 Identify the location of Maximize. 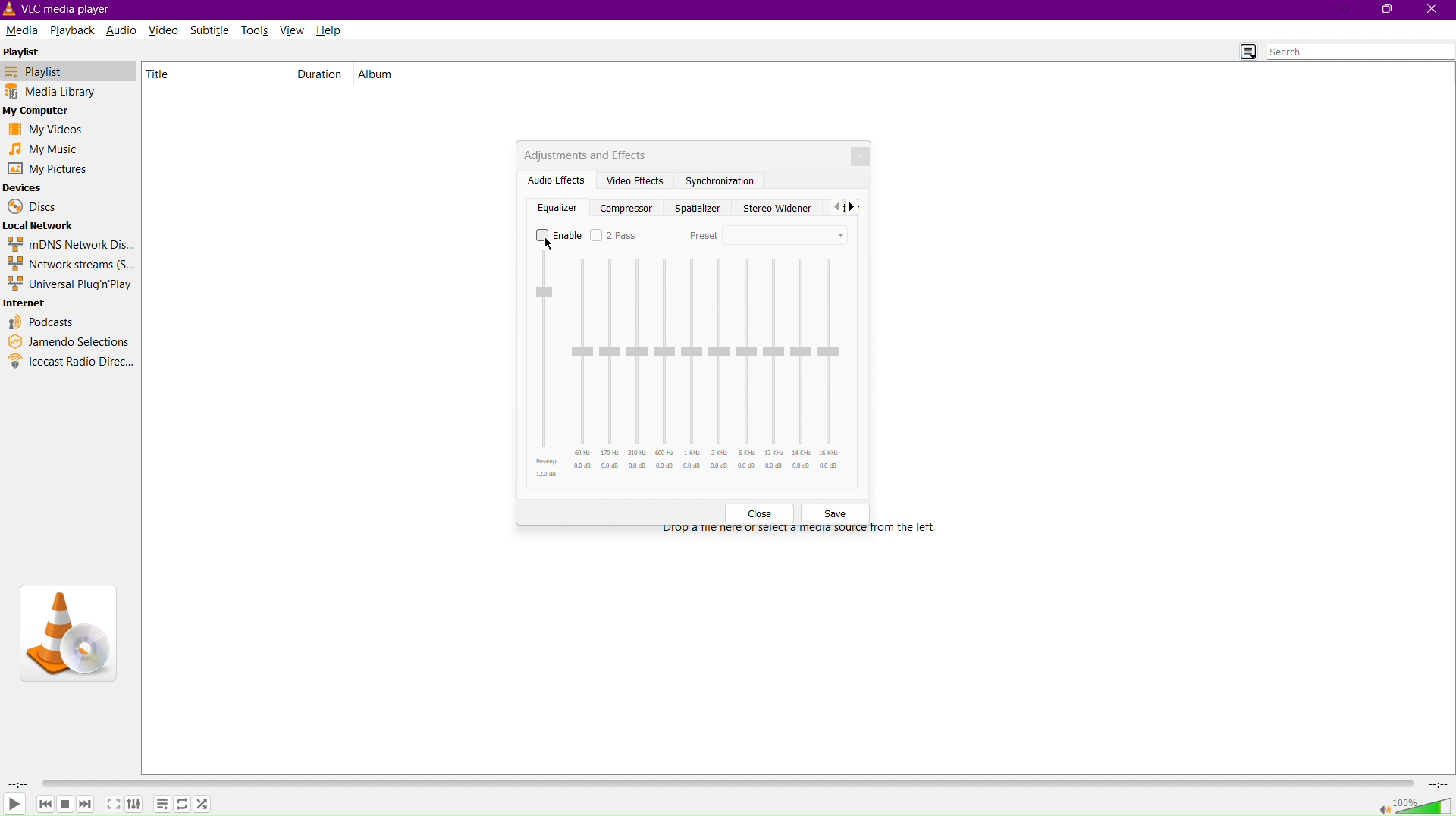
(114, 803).